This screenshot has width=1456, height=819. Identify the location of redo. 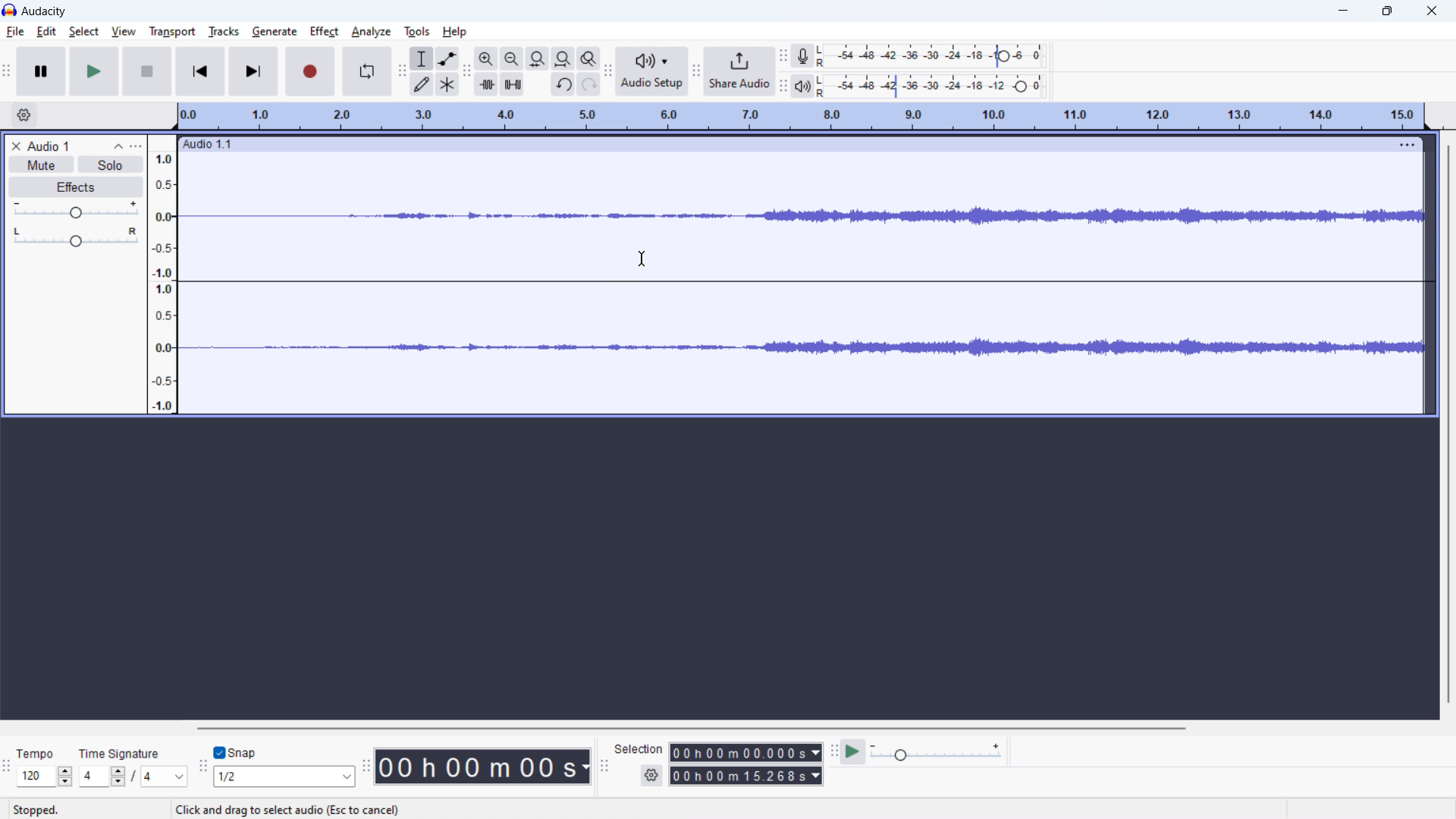
(588, 84).